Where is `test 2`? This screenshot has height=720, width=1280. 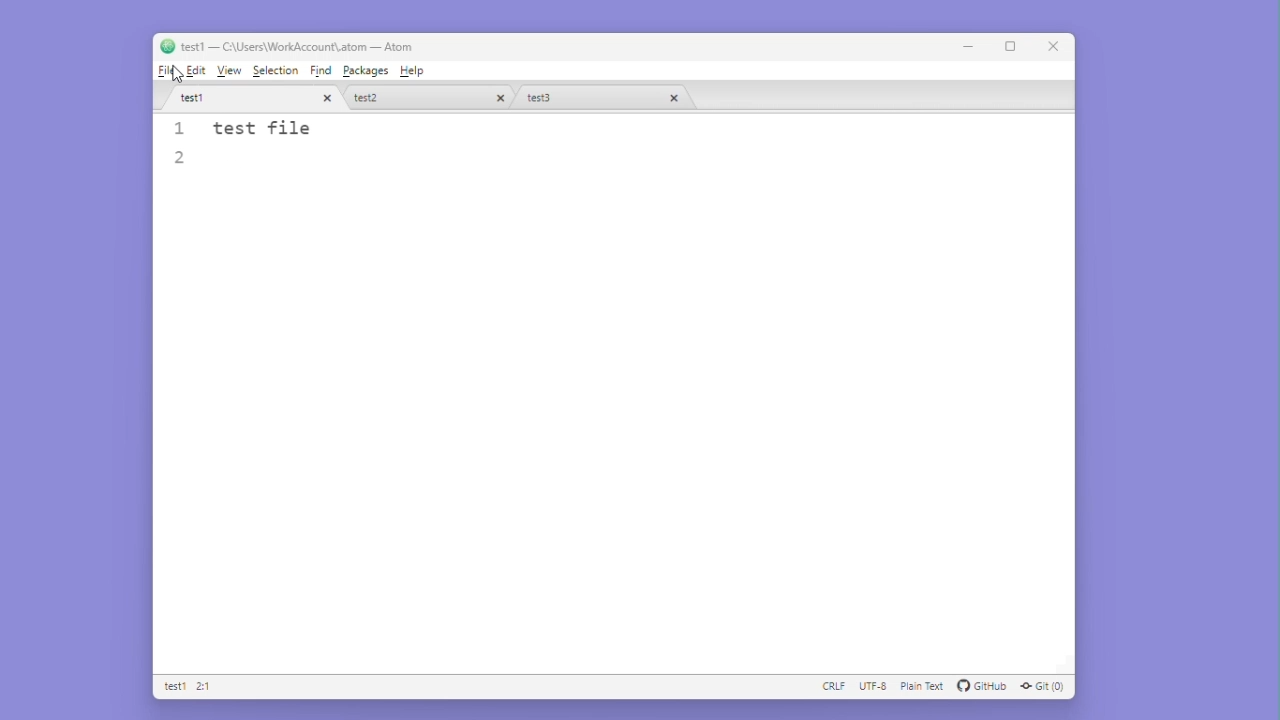
test 2 is located at coordinates (404, 98).